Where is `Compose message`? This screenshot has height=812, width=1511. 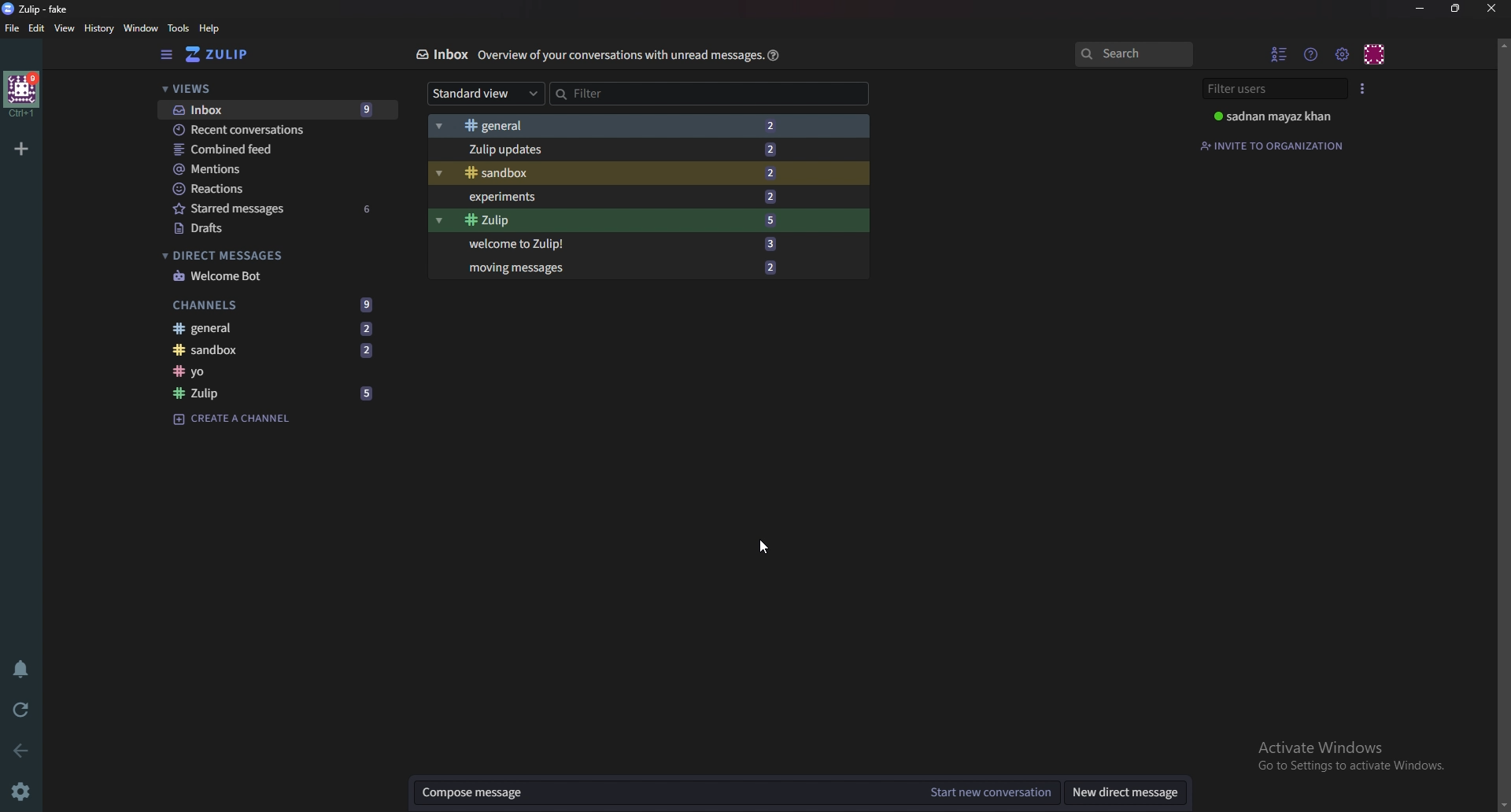 Compose message is located at coordinates (664, 792).